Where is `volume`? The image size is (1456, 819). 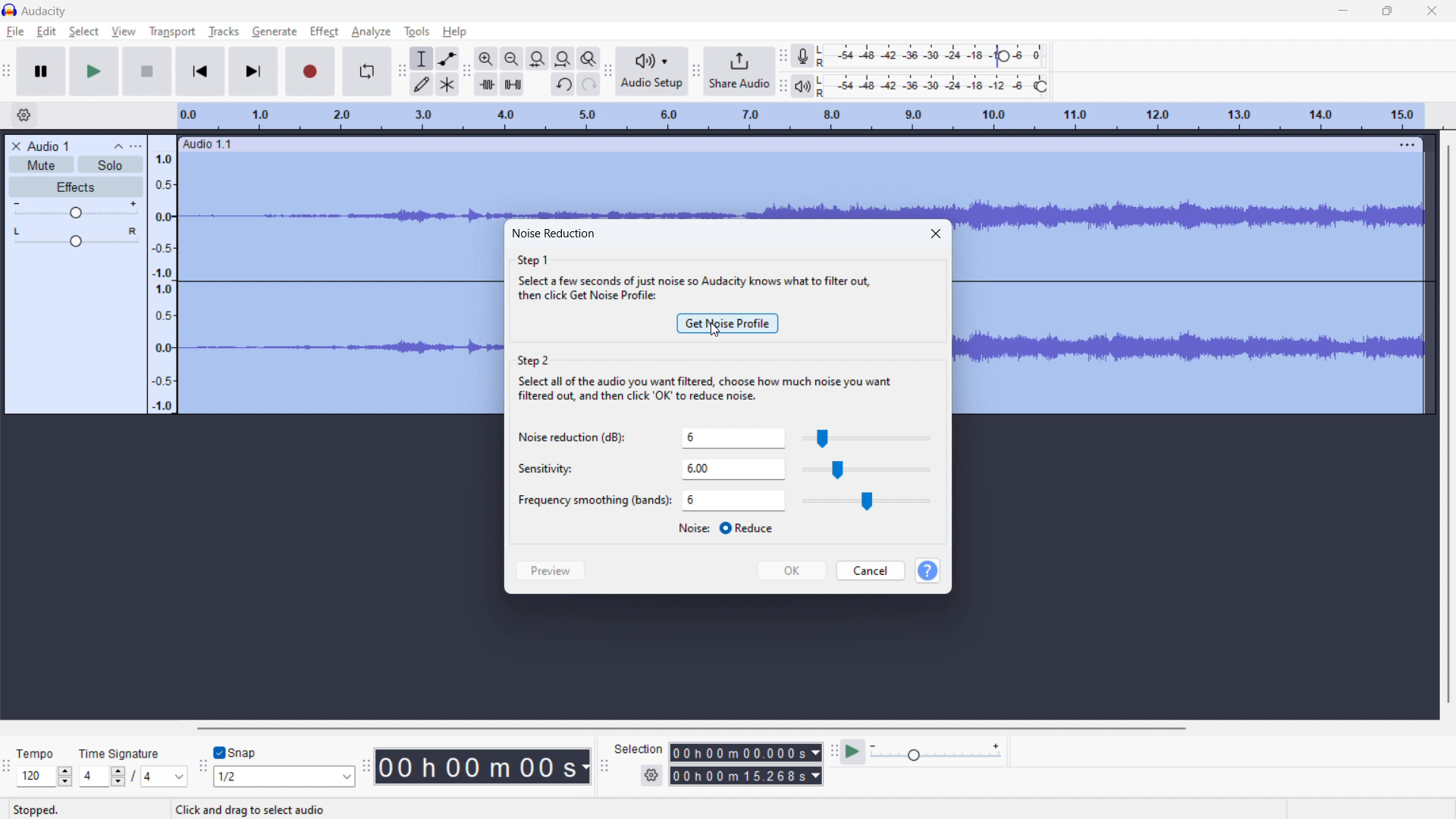
volume is located at coordinates (76, 209).